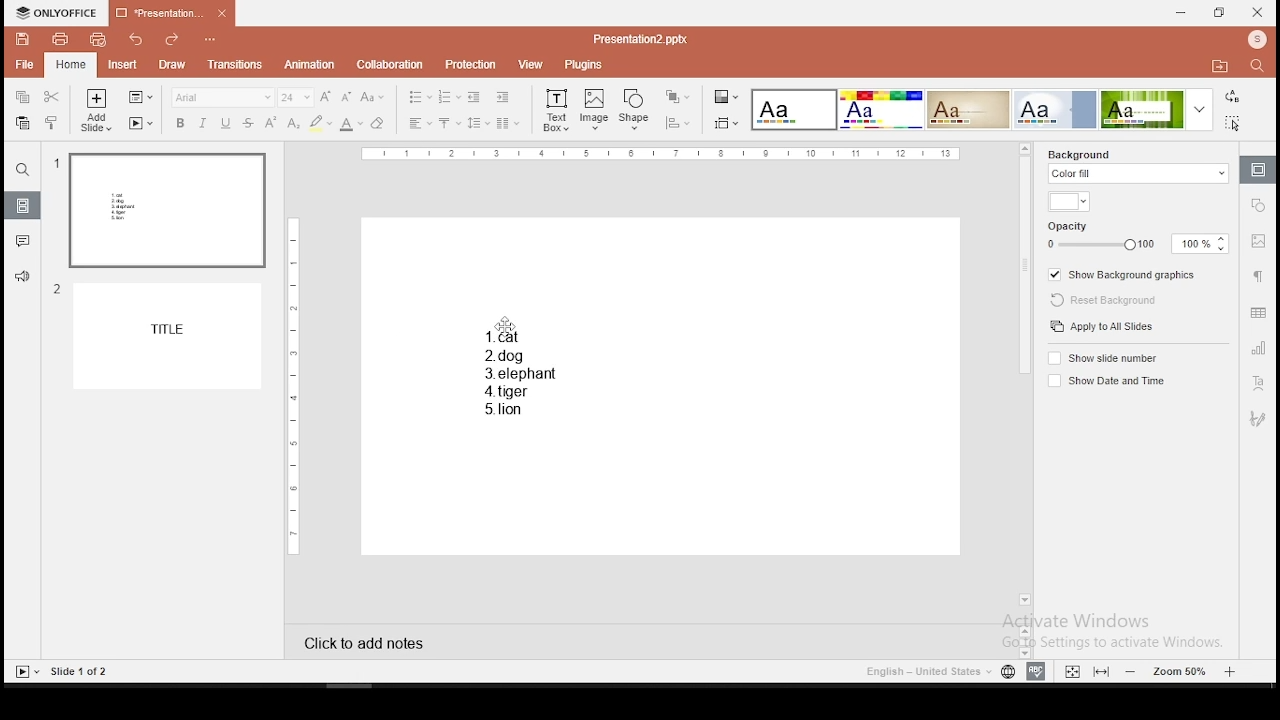 The width and height of the screenshot is (1280, 720). I want to click on shoe date and time on/off, so click(1108, 381).